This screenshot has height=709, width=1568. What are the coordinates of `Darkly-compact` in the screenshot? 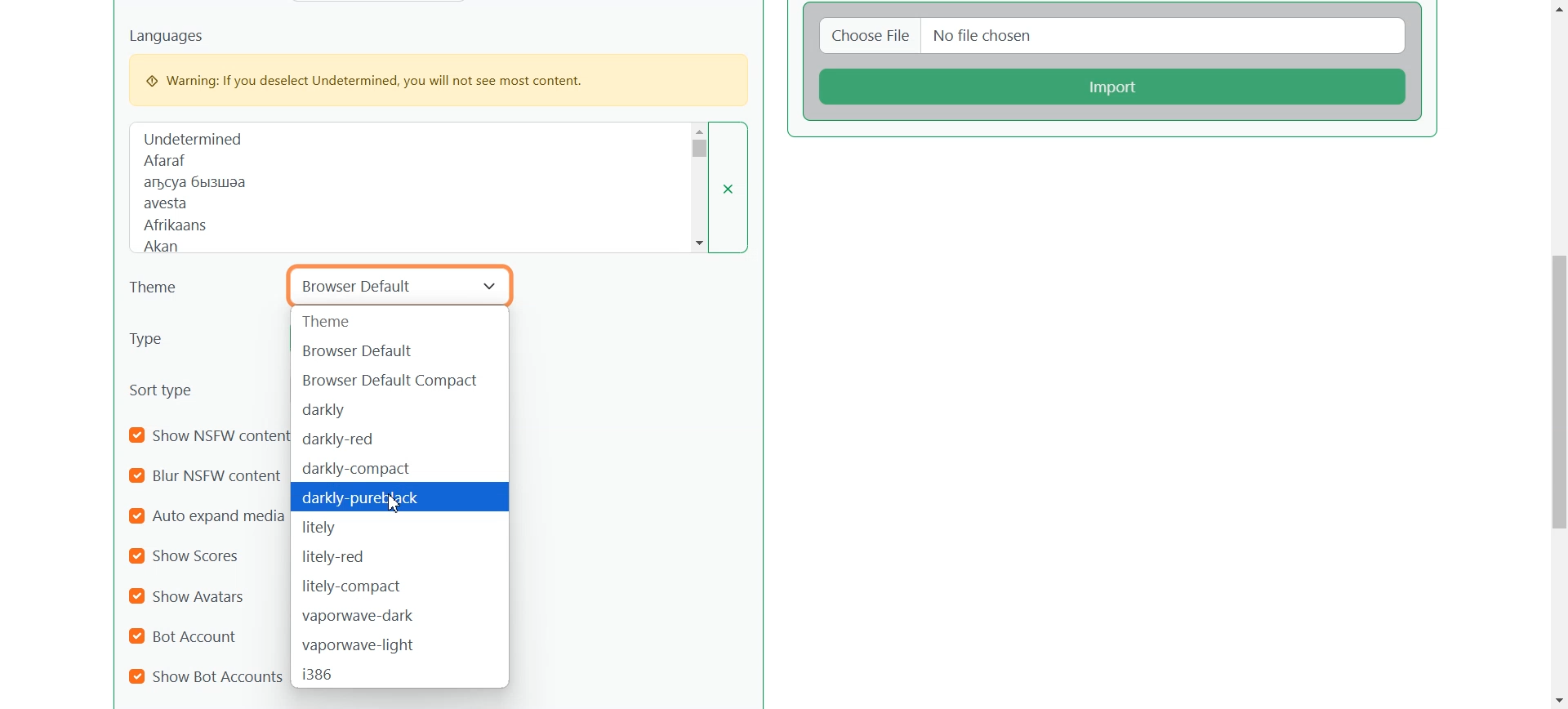 It's located at (399, 467).